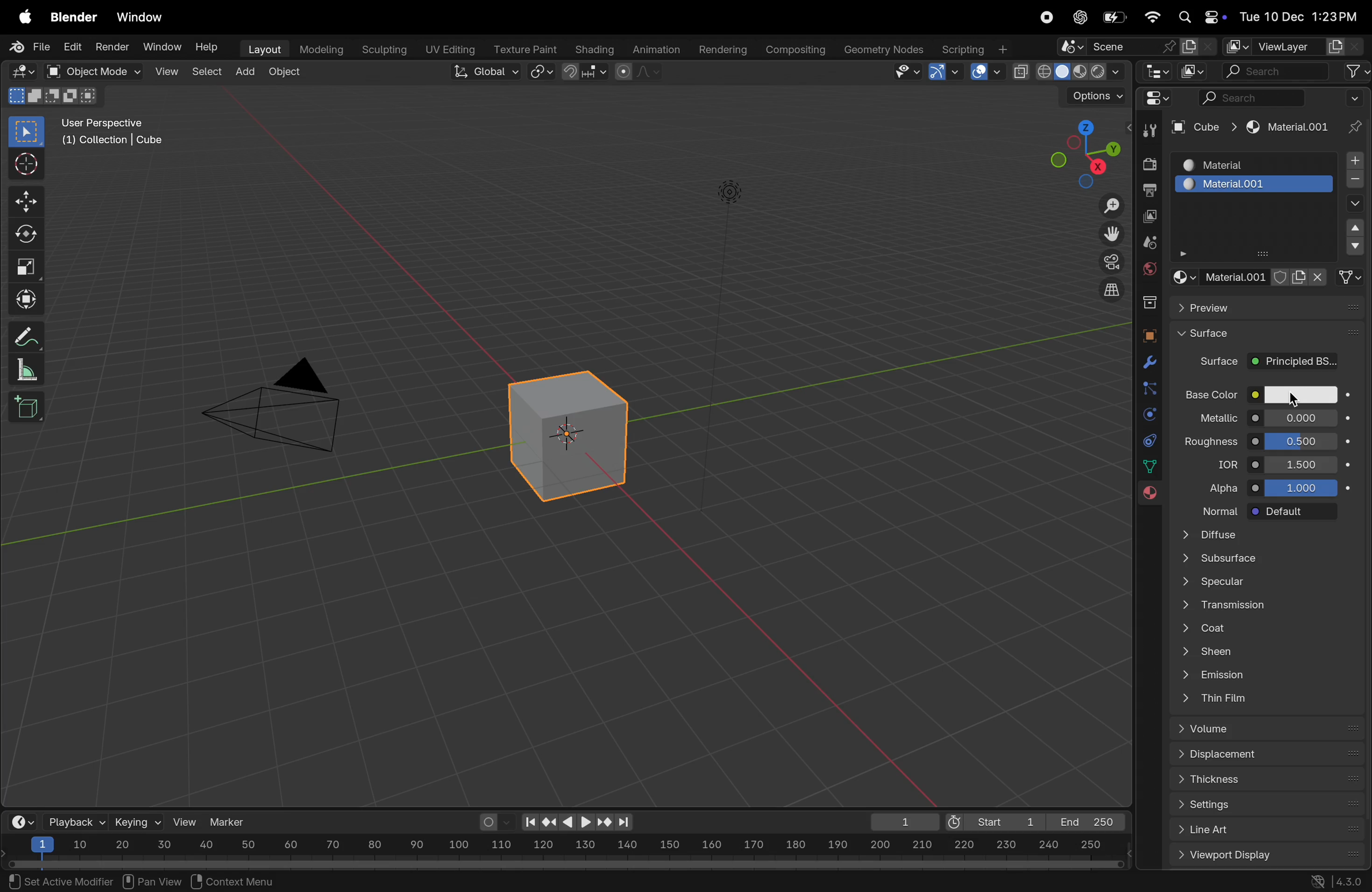 The height and width of the screenshot is (892, 1372). Describe the element at coordinates (1213, 364) in the screenshot. I see `surface` at that location.